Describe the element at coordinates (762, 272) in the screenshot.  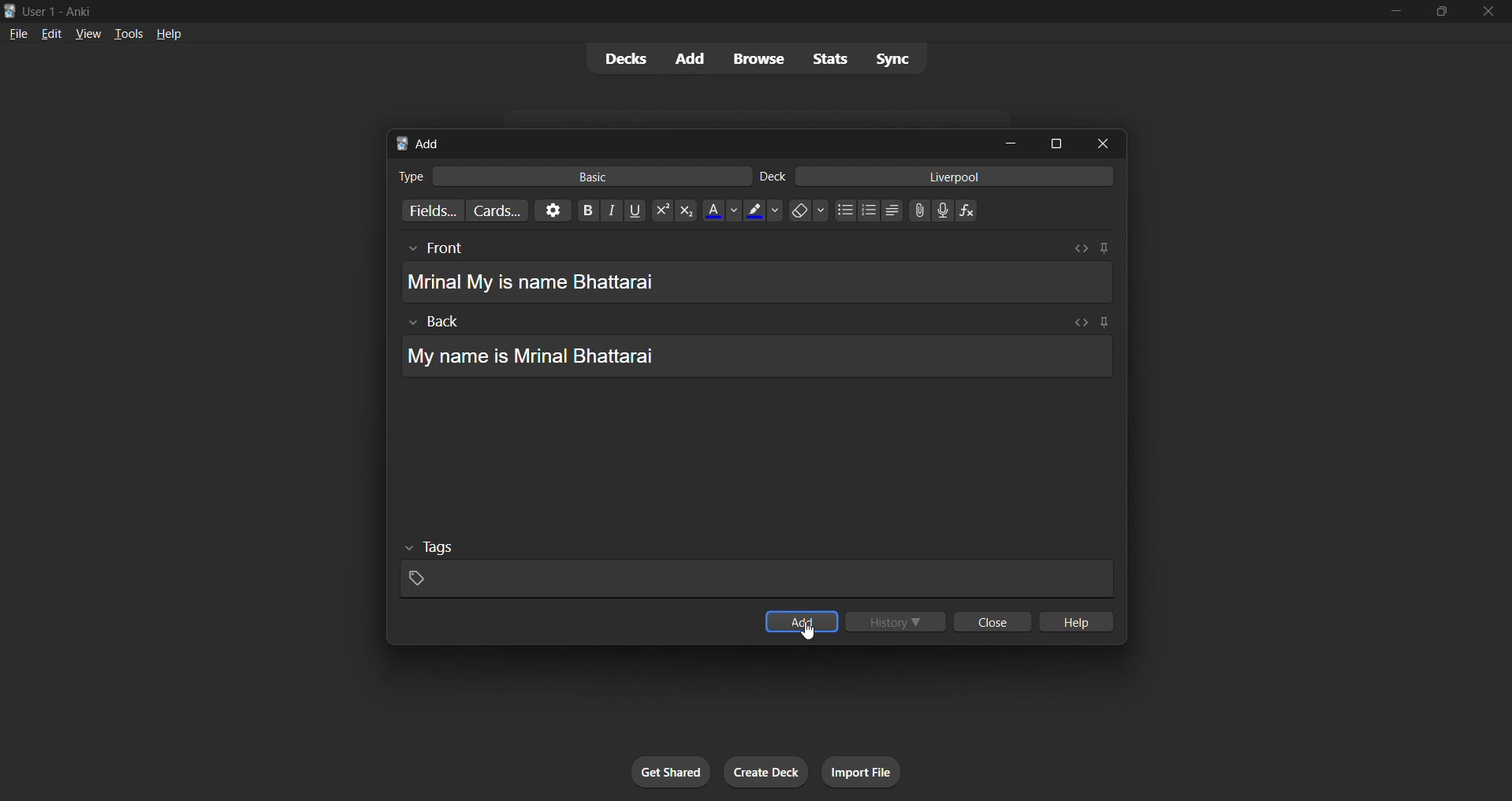
I see `Card Front input field` at that location.